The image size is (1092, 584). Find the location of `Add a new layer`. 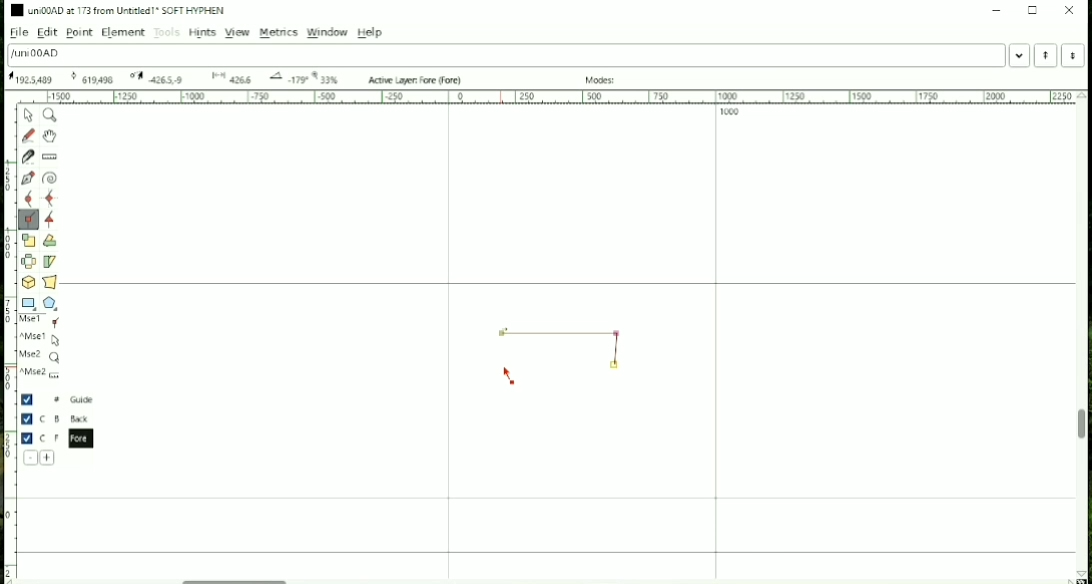

Add a new layer is located at coordinates (48, 458).